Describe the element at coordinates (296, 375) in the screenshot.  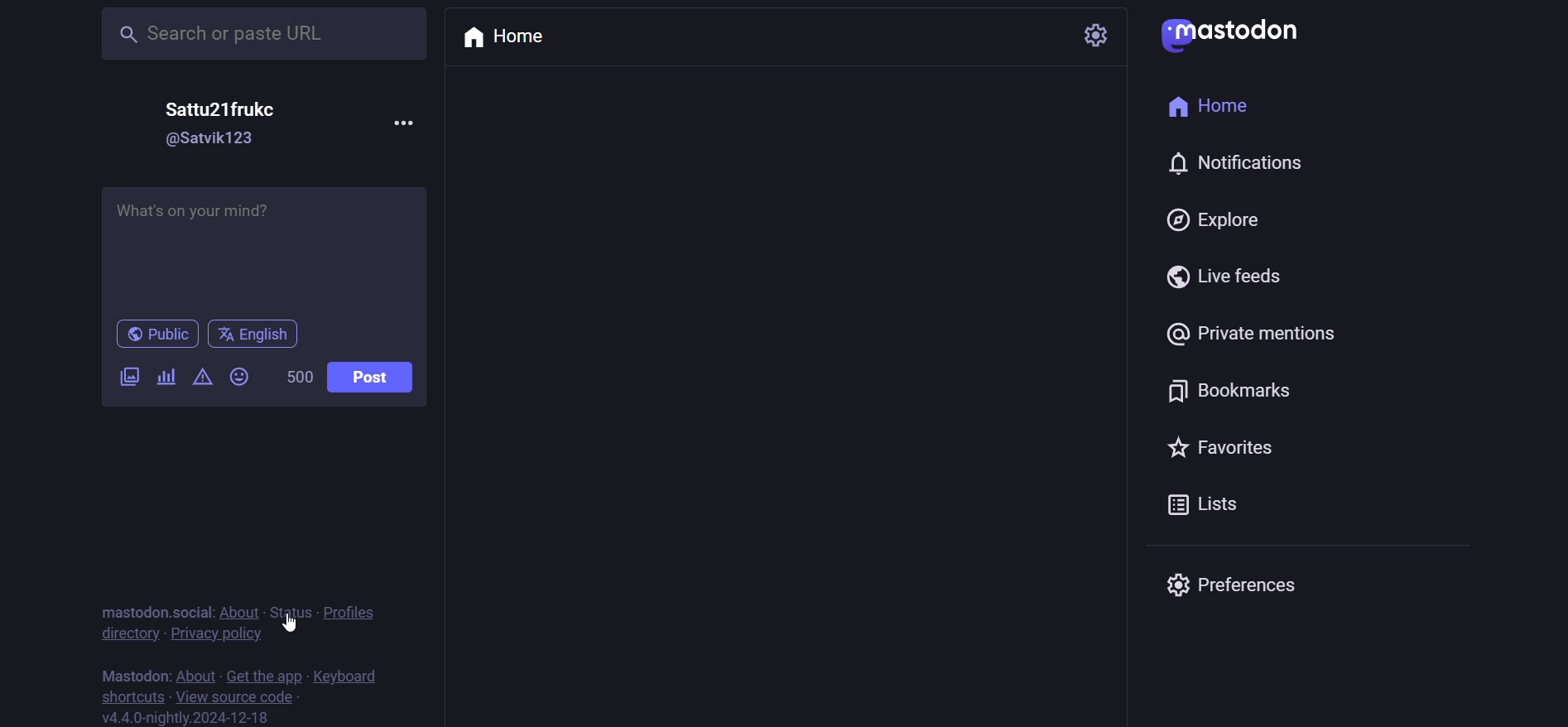
I see `word limit` at that location.